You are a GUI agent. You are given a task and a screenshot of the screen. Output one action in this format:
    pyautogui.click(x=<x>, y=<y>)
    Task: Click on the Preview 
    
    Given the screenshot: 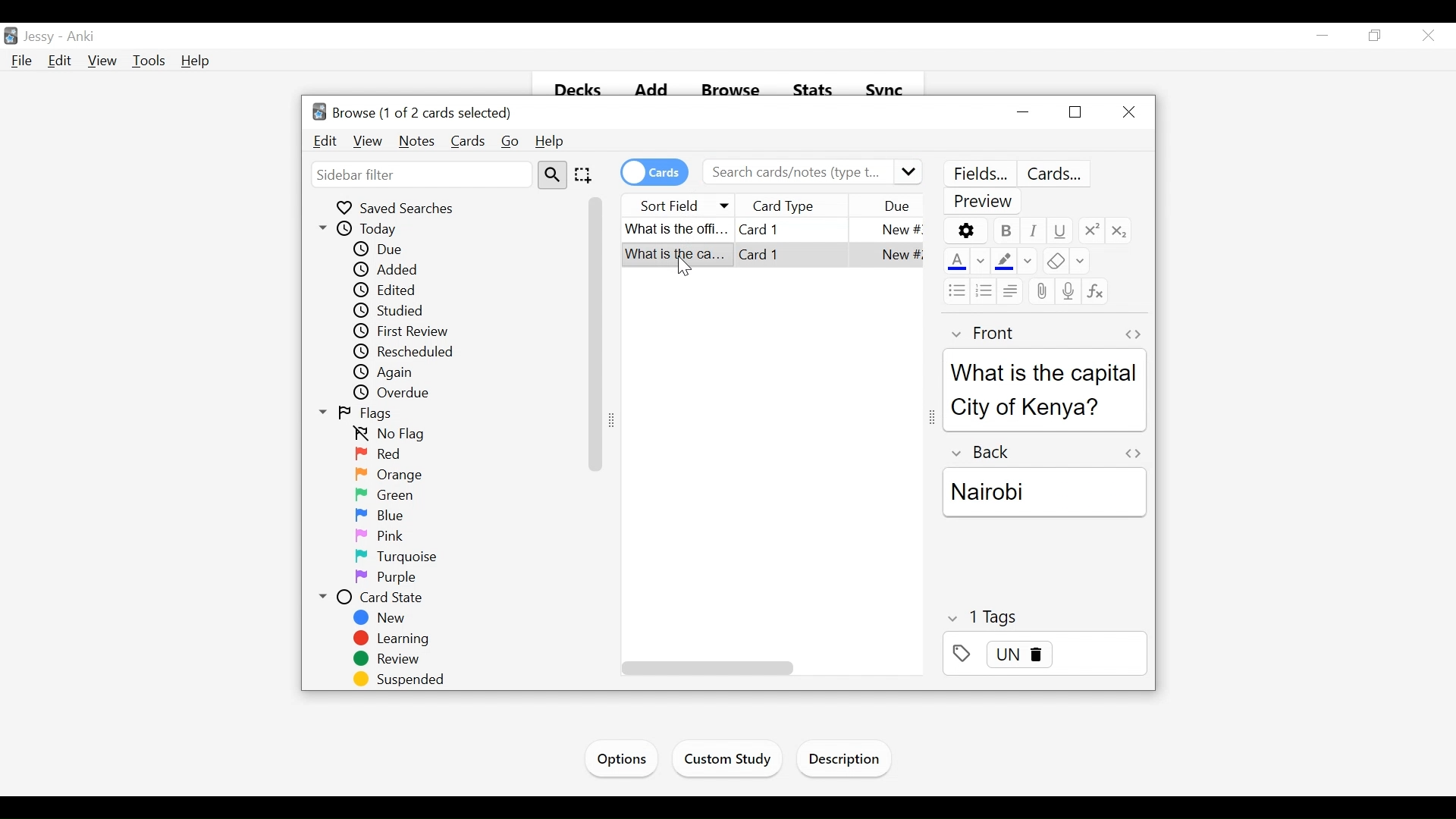 What is the action you would take?
    pyautogui.click(x=985, y=202)
    